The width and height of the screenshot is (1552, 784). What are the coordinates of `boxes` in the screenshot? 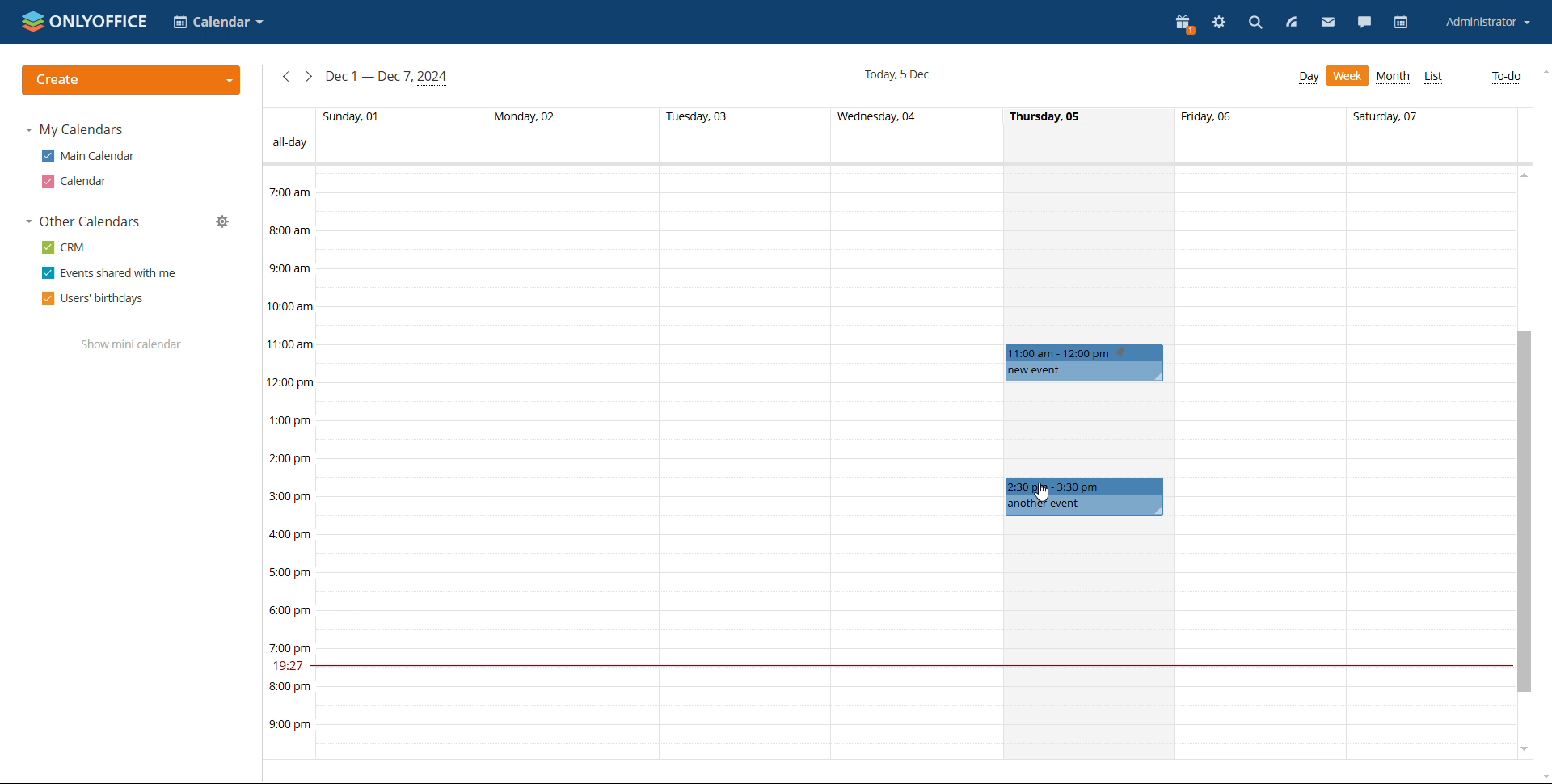 It's located at (663, 465).